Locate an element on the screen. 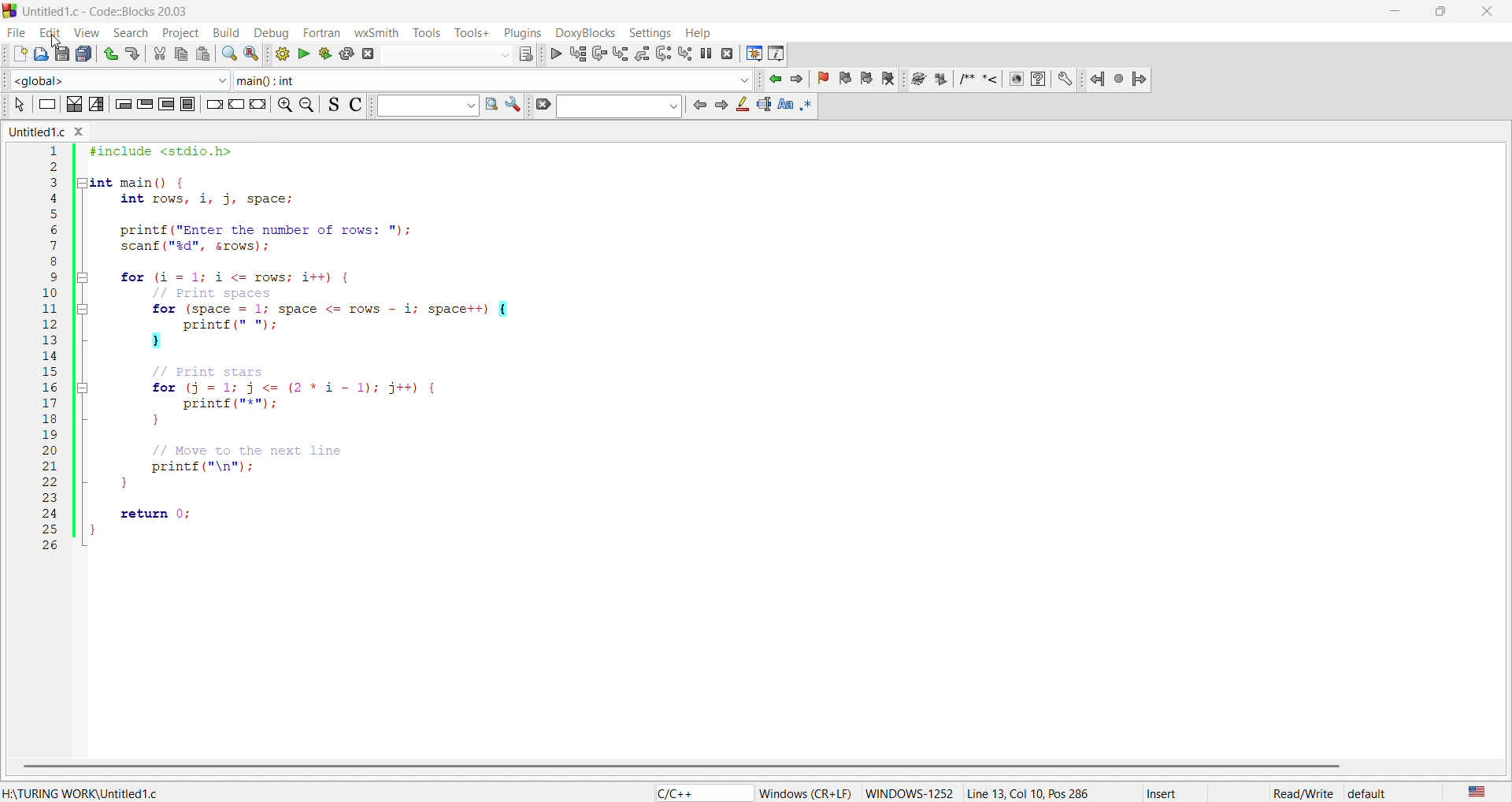  help is located at coordinates (698, 32).